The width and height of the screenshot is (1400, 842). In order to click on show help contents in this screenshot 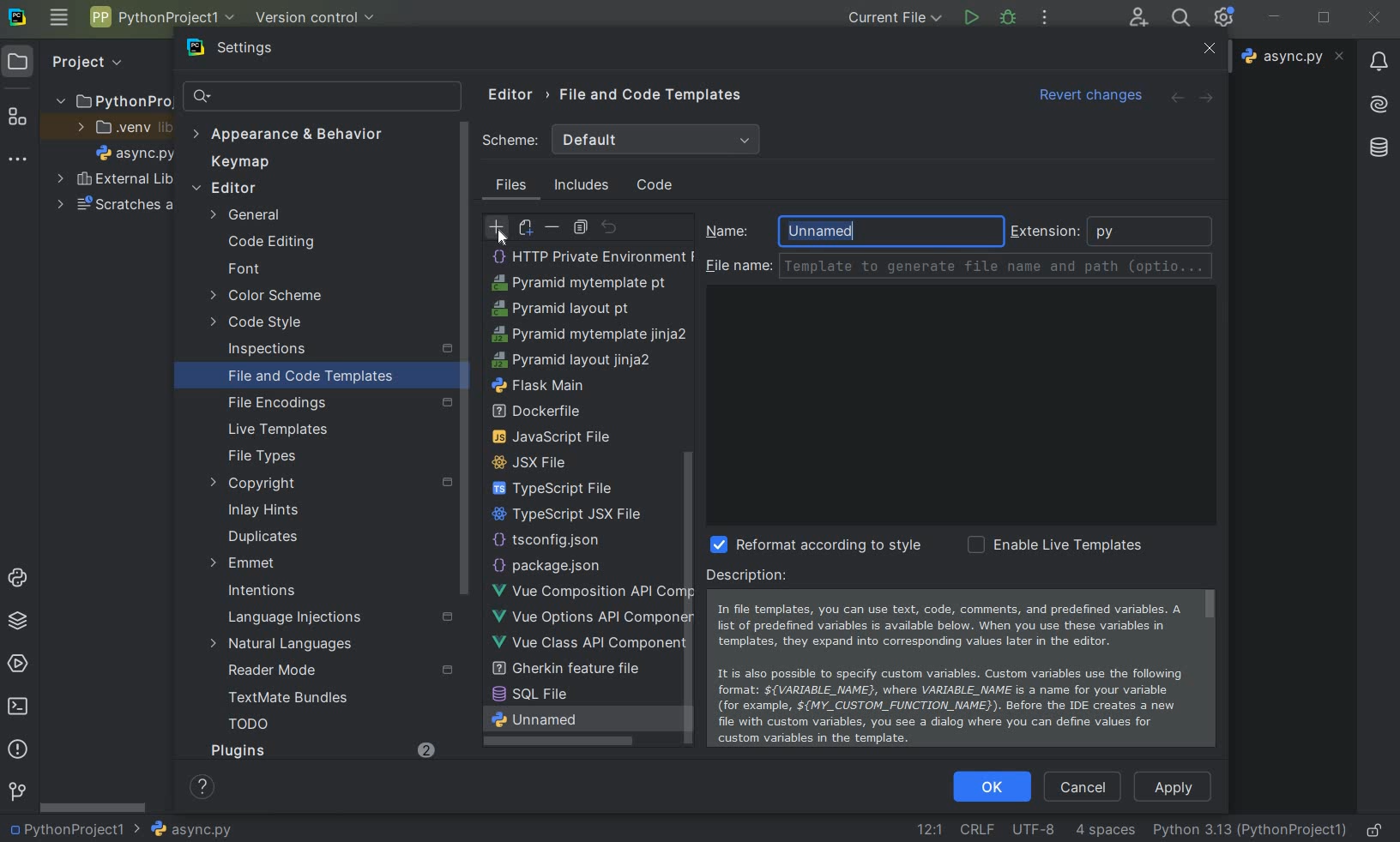, I will do `click(206, 790)`.